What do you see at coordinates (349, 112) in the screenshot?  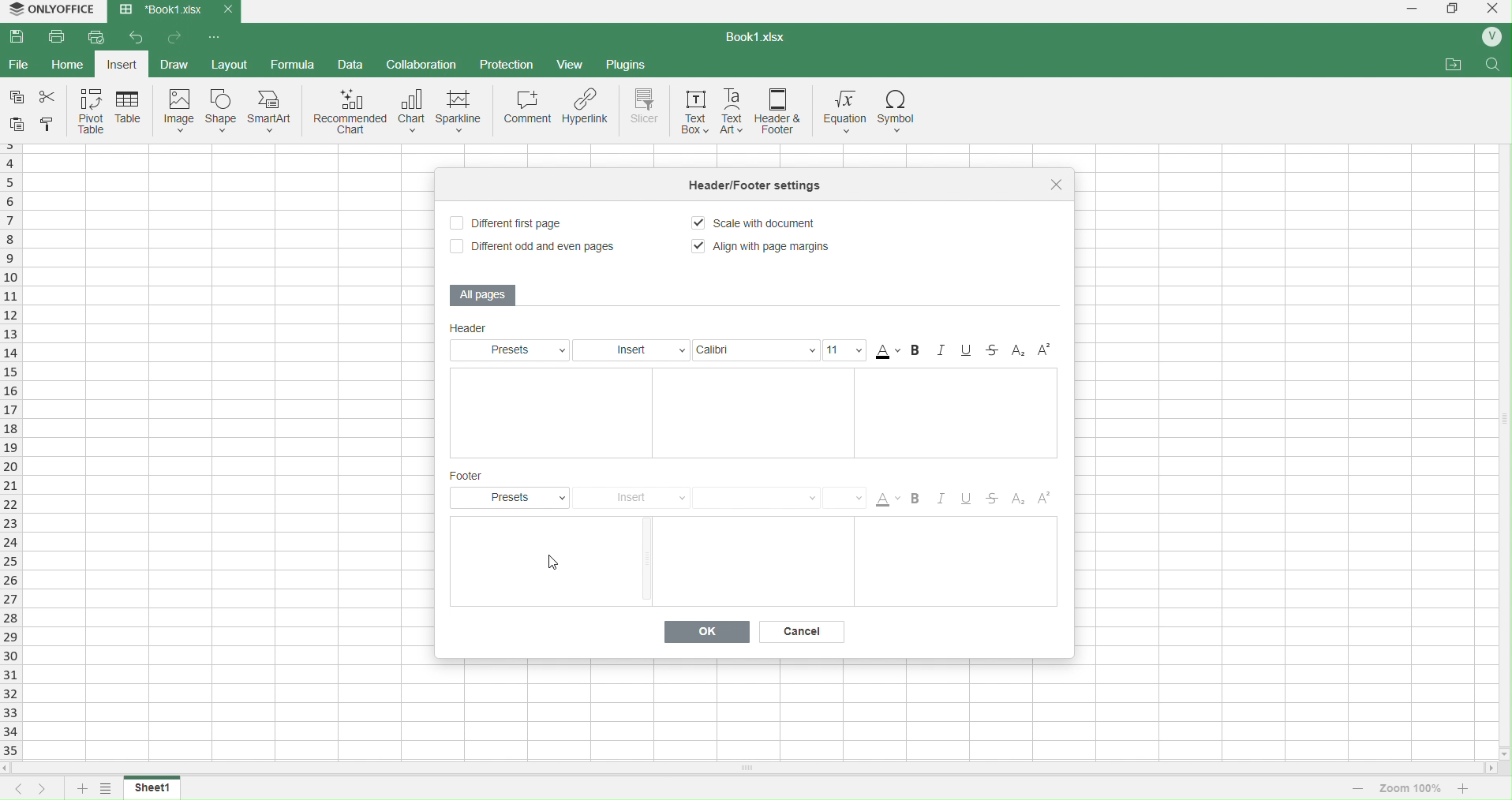 I see `recommended chart` at bounding box center [349, 112].